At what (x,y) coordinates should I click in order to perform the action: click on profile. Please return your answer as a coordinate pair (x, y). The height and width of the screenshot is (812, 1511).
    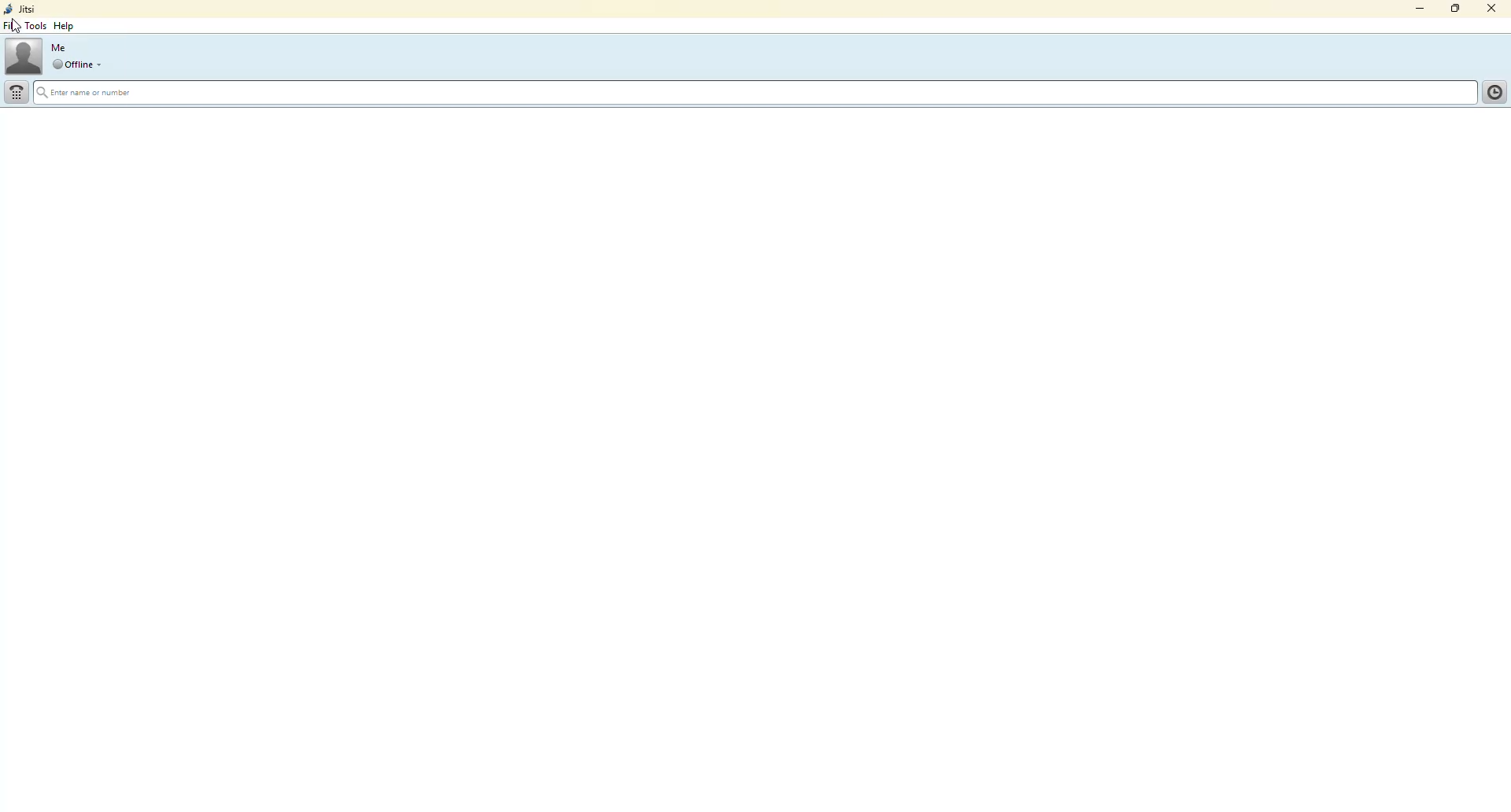
    Looking at the image, I should click on (24, 55).